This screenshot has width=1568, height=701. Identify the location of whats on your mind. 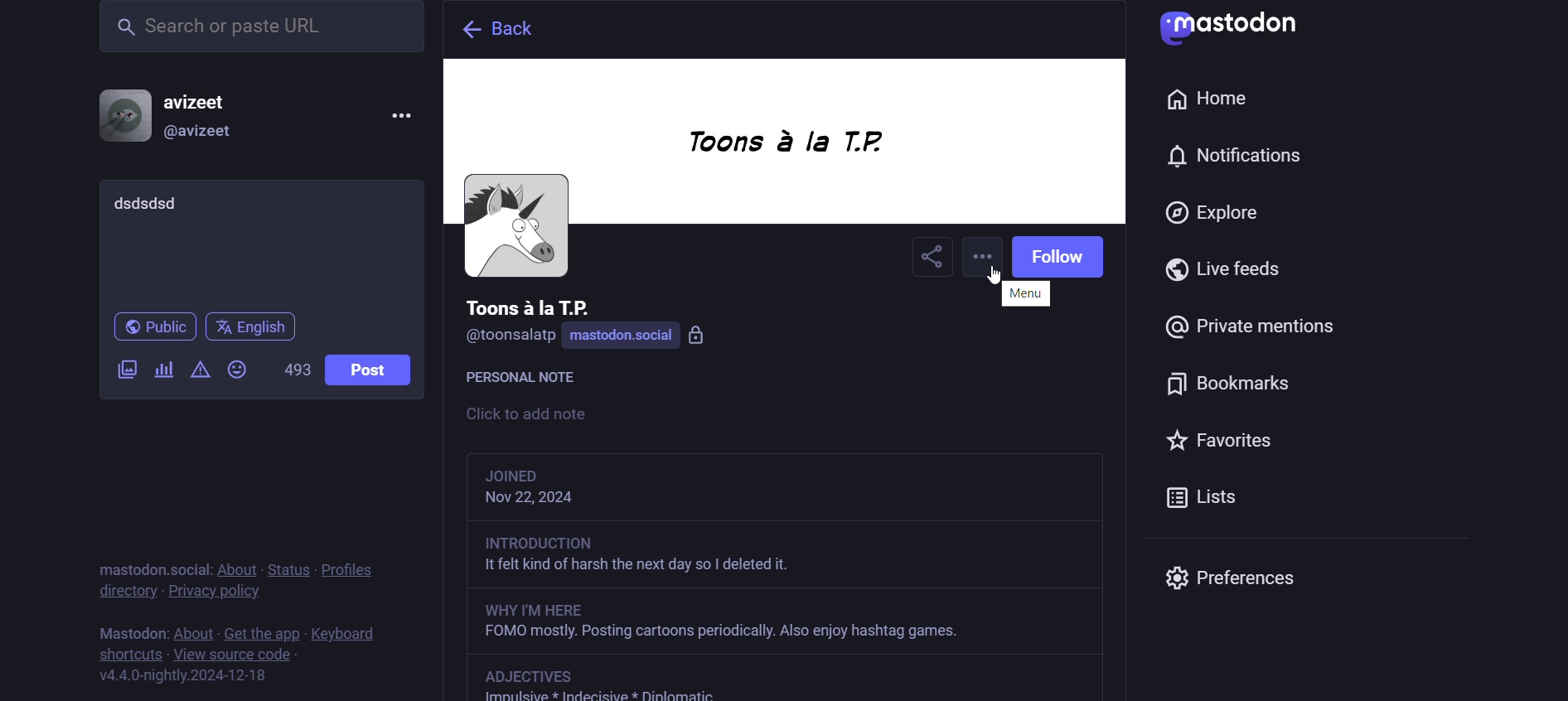
(259, 242).